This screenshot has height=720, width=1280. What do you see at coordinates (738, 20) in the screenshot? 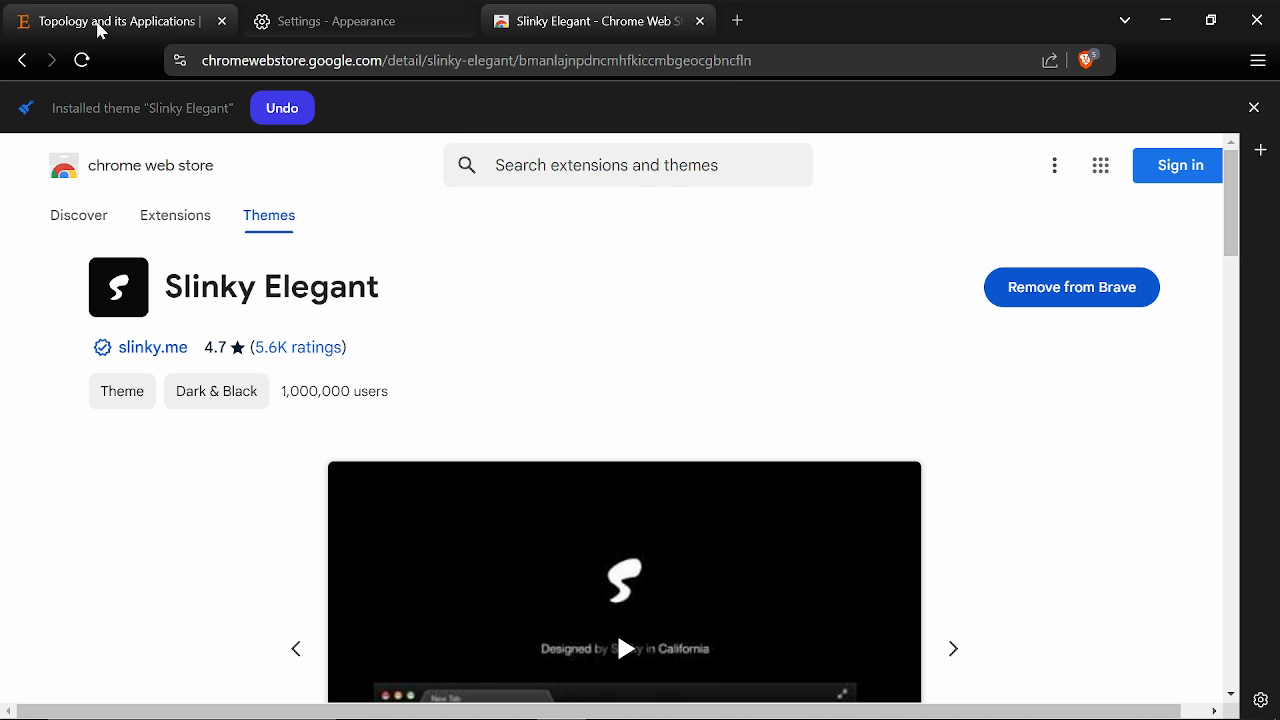
I see `New tab` at bounding box center [738, 20].